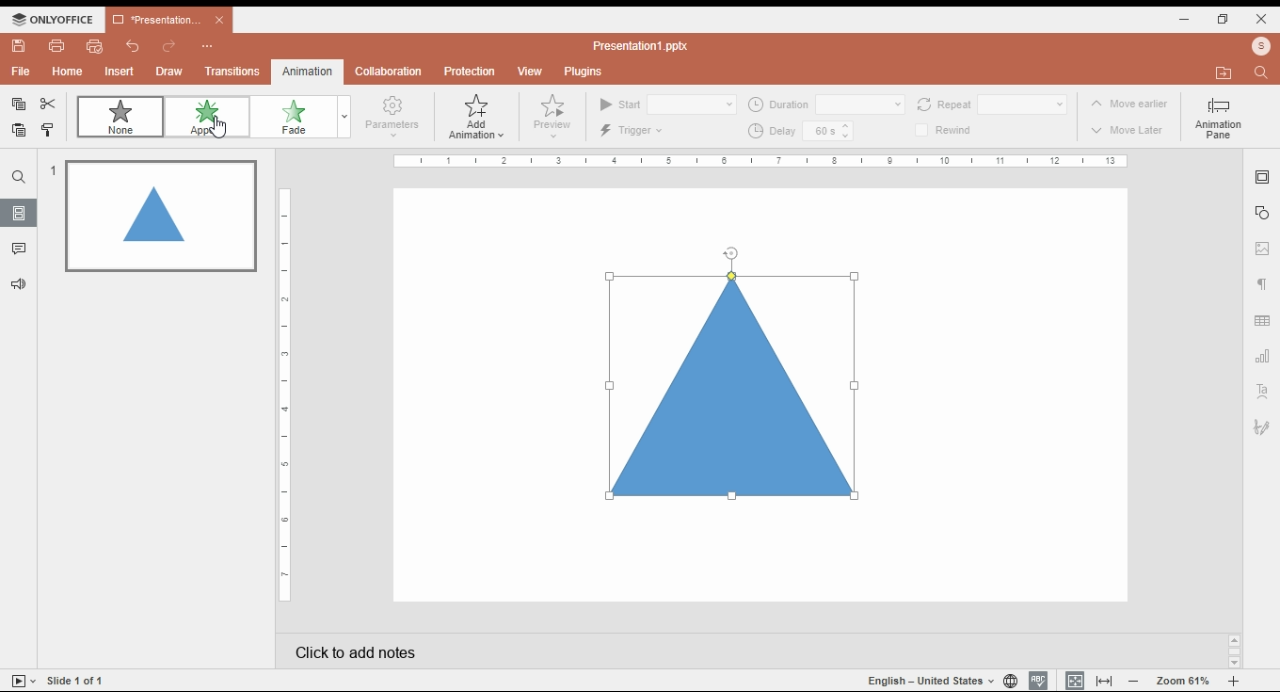 Image resolution: width=1280 pixels, height=692 pixels. I want to click on paste, so click(18, 130).